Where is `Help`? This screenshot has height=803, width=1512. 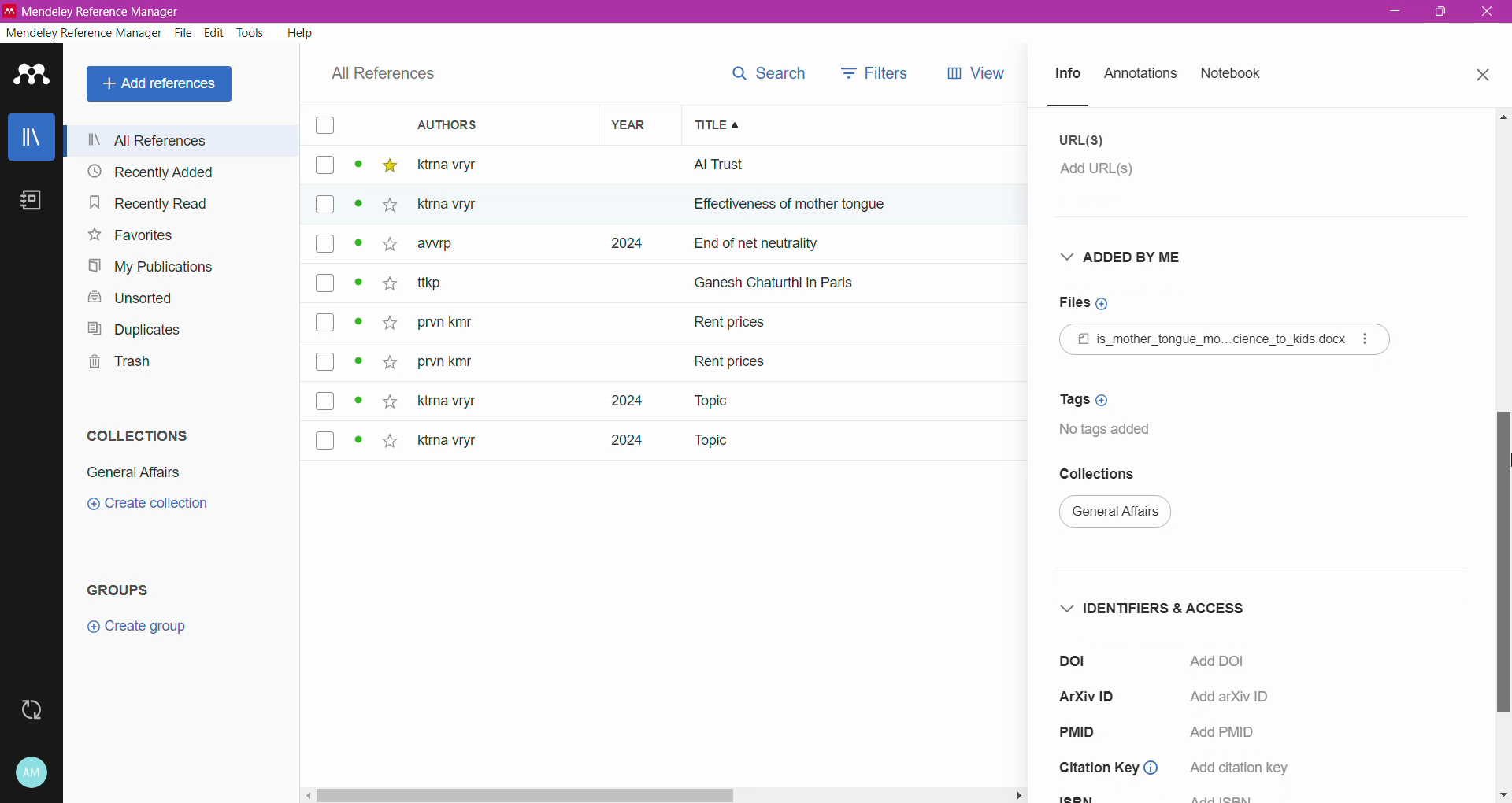
Help is located at coordinates (301, 32).